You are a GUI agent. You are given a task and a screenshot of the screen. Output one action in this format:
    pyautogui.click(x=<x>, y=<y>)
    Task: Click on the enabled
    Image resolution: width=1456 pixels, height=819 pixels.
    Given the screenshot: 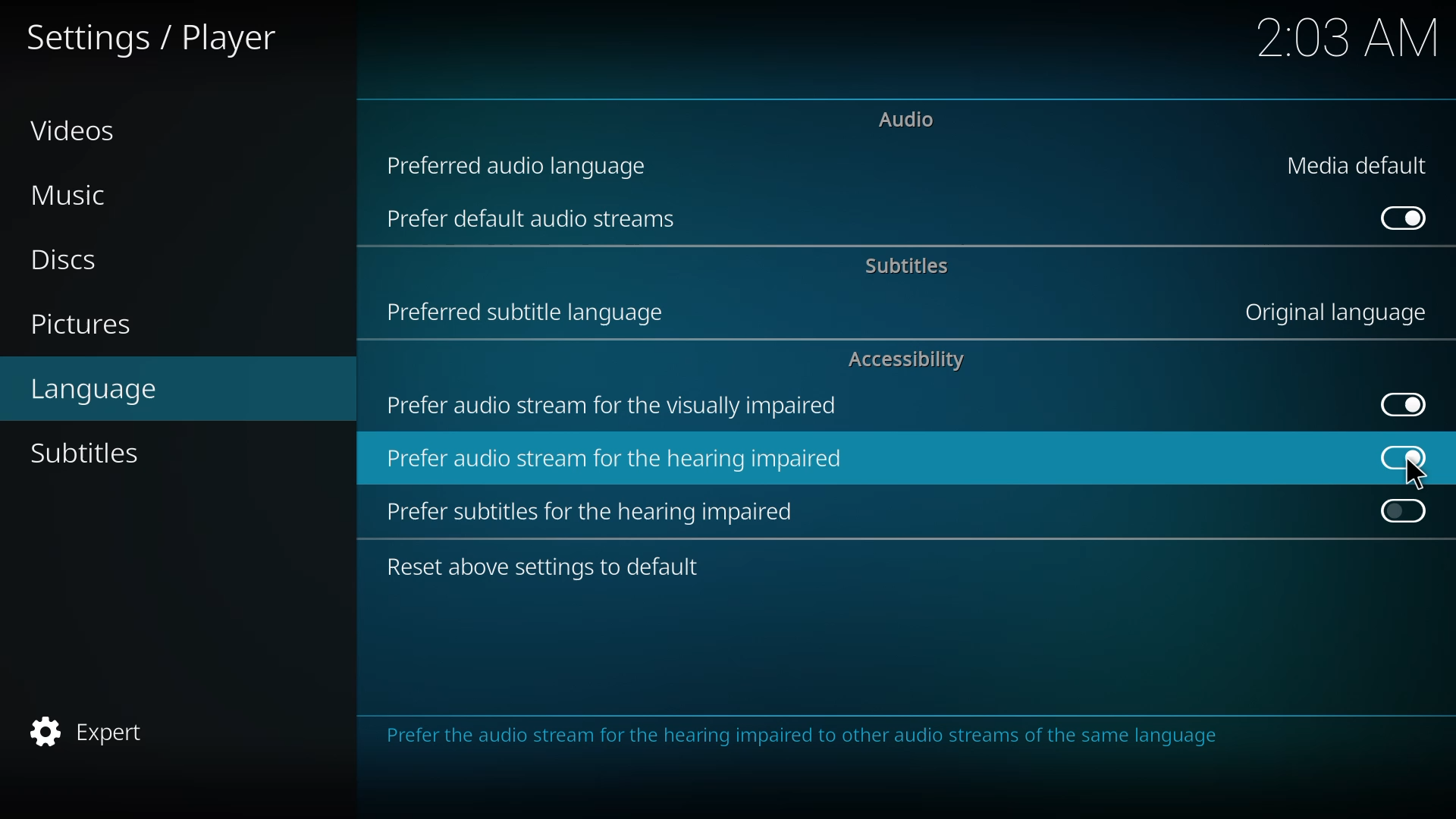 What is the action you would take?
    pyautogui.click(x=1403, y=218)
    